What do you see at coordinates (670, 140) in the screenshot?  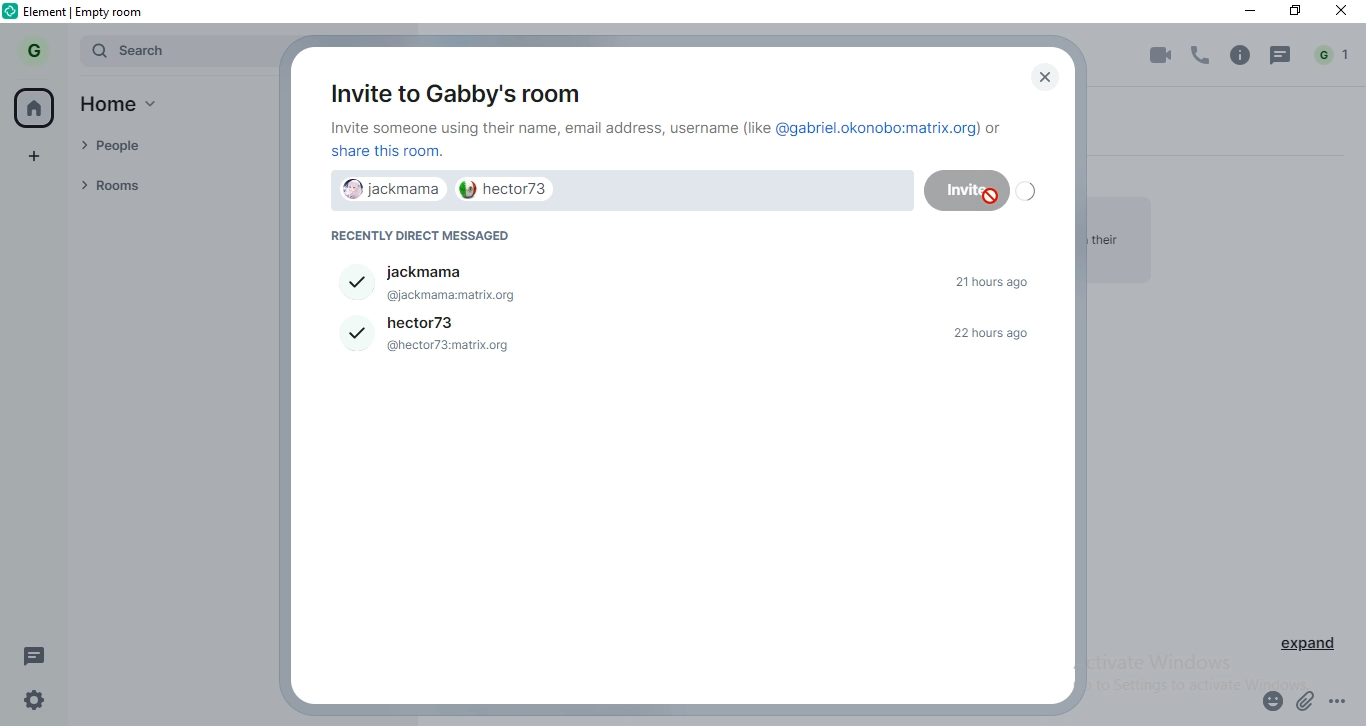 I see `text 1` at bounding box center [670, 140].